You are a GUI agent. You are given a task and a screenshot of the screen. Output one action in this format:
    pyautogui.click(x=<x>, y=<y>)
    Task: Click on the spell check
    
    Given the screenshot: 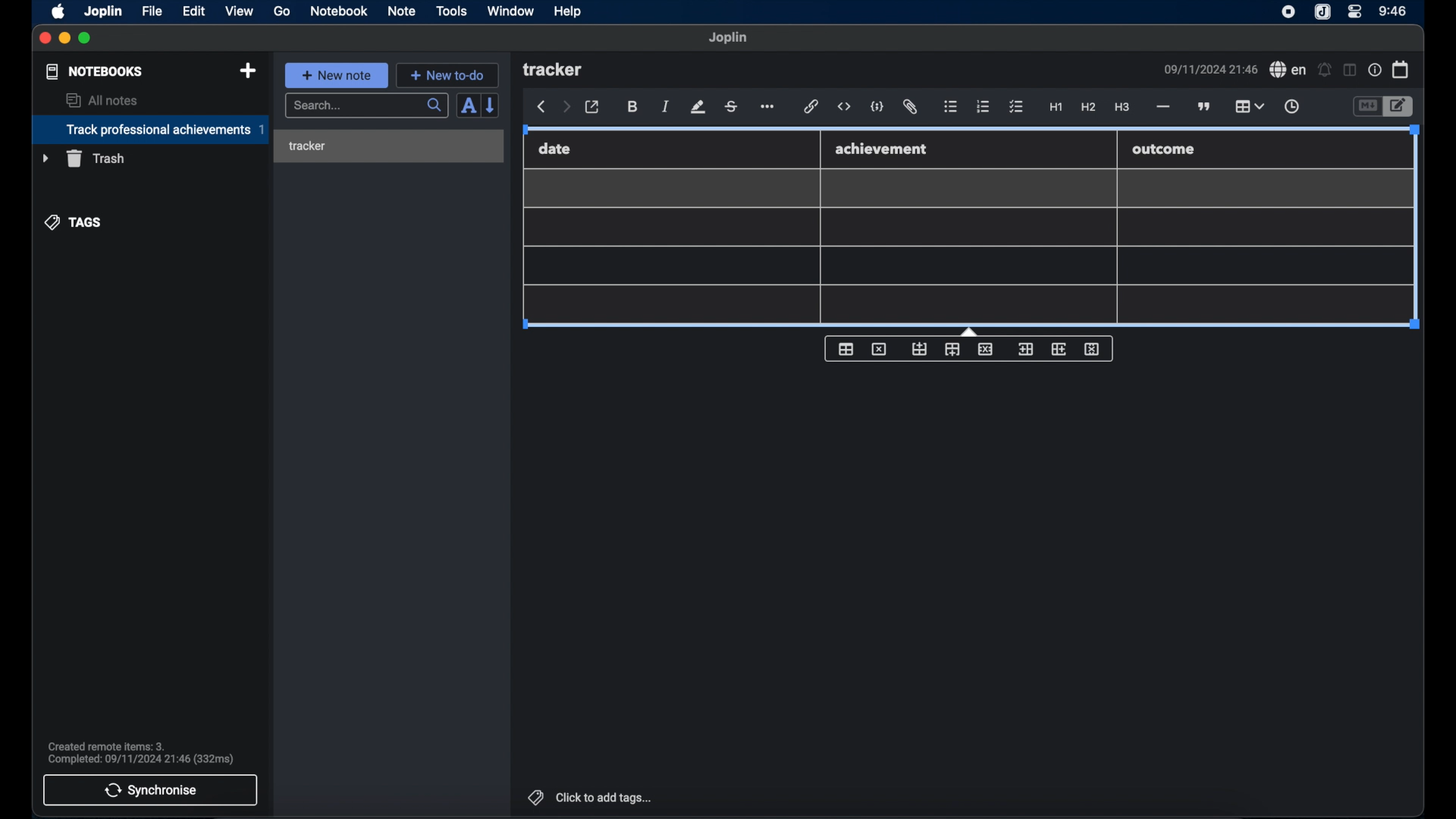 What is the action you would take?
    pyautogui.click(x=1288, y=70)
    